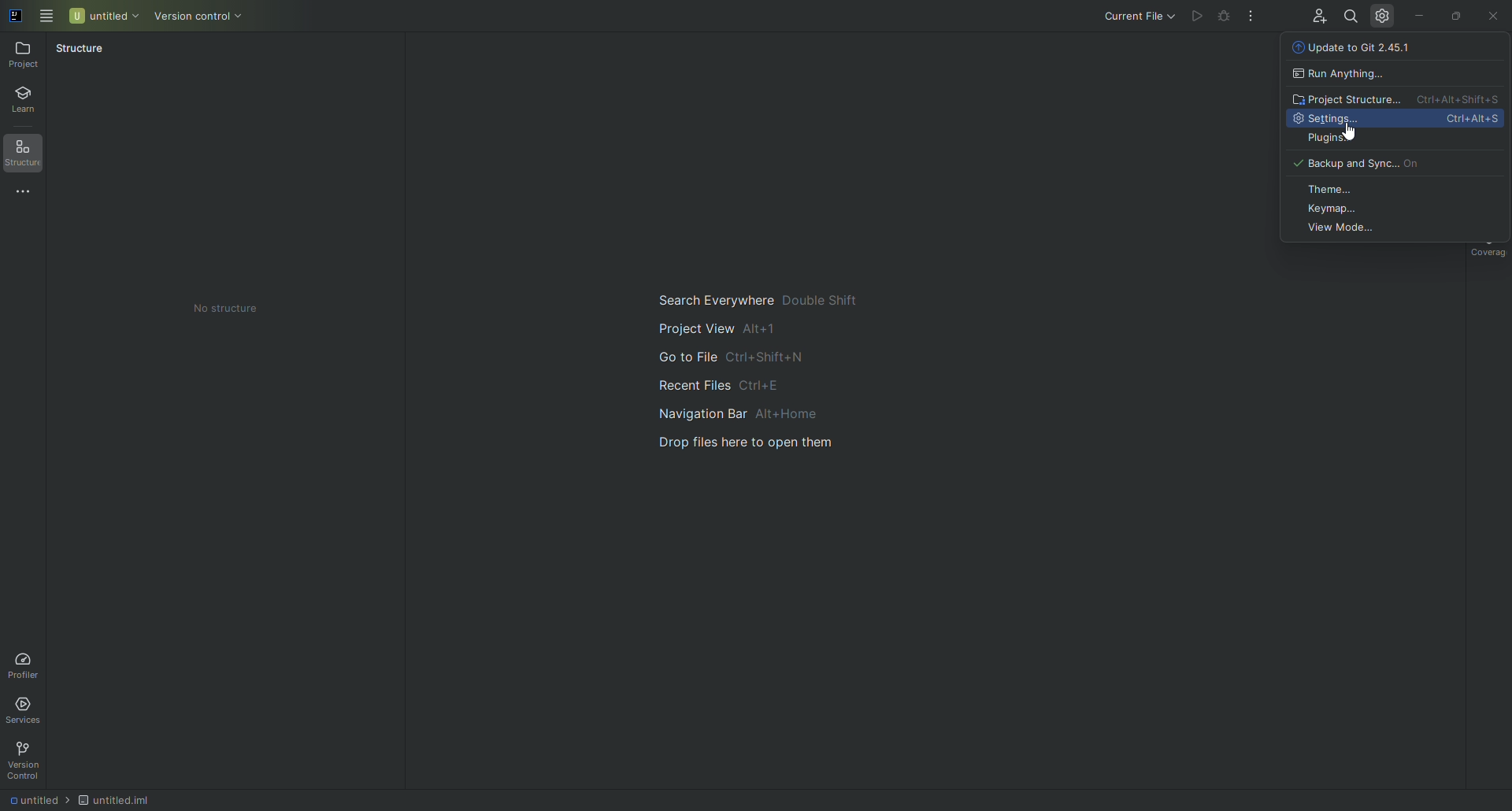  Describe the element at coordinates (32, 707) in the screenshot. I see `Services` at that location.